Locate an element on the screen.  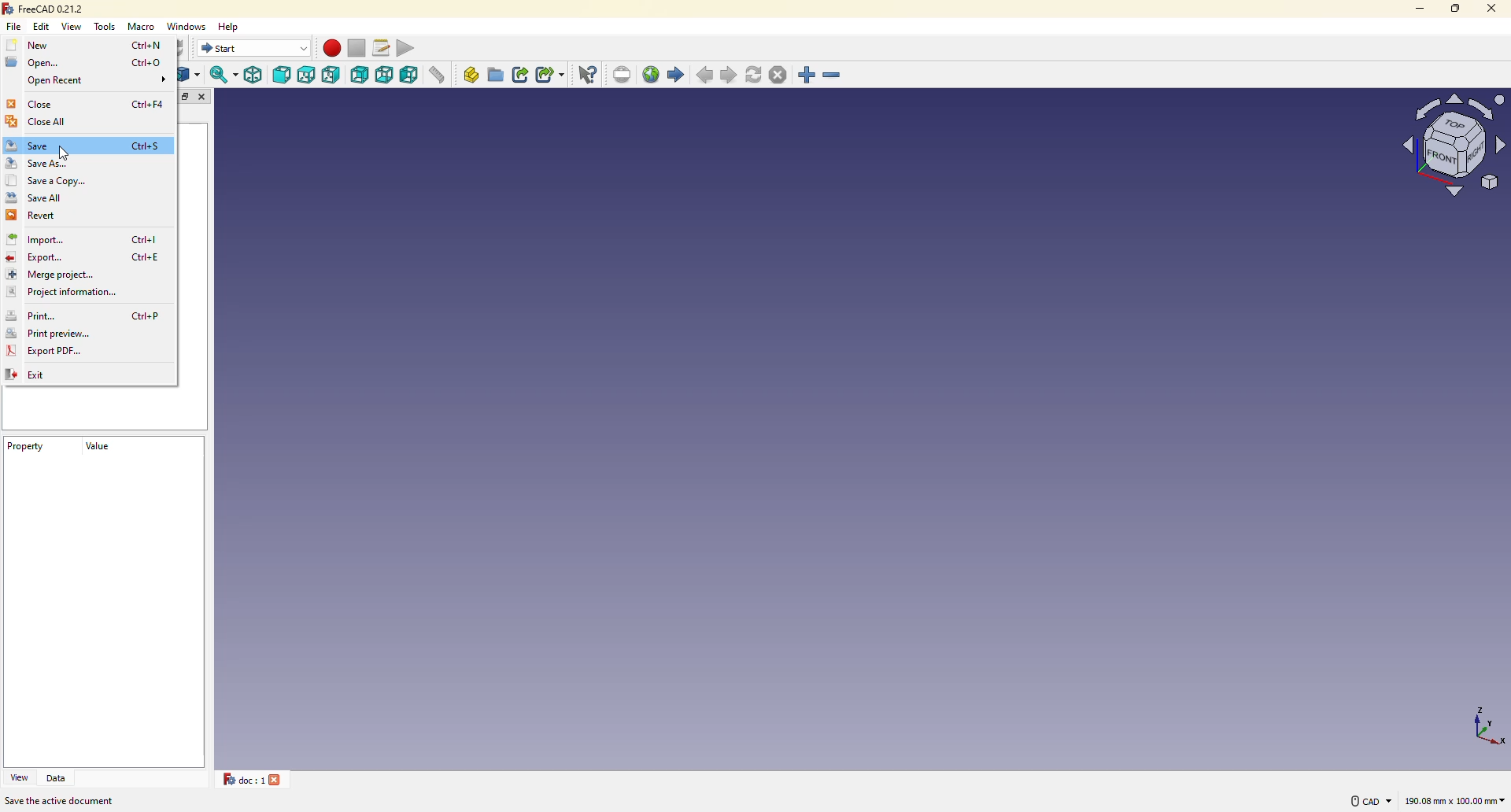
revert is located at coordinates (35, 216).